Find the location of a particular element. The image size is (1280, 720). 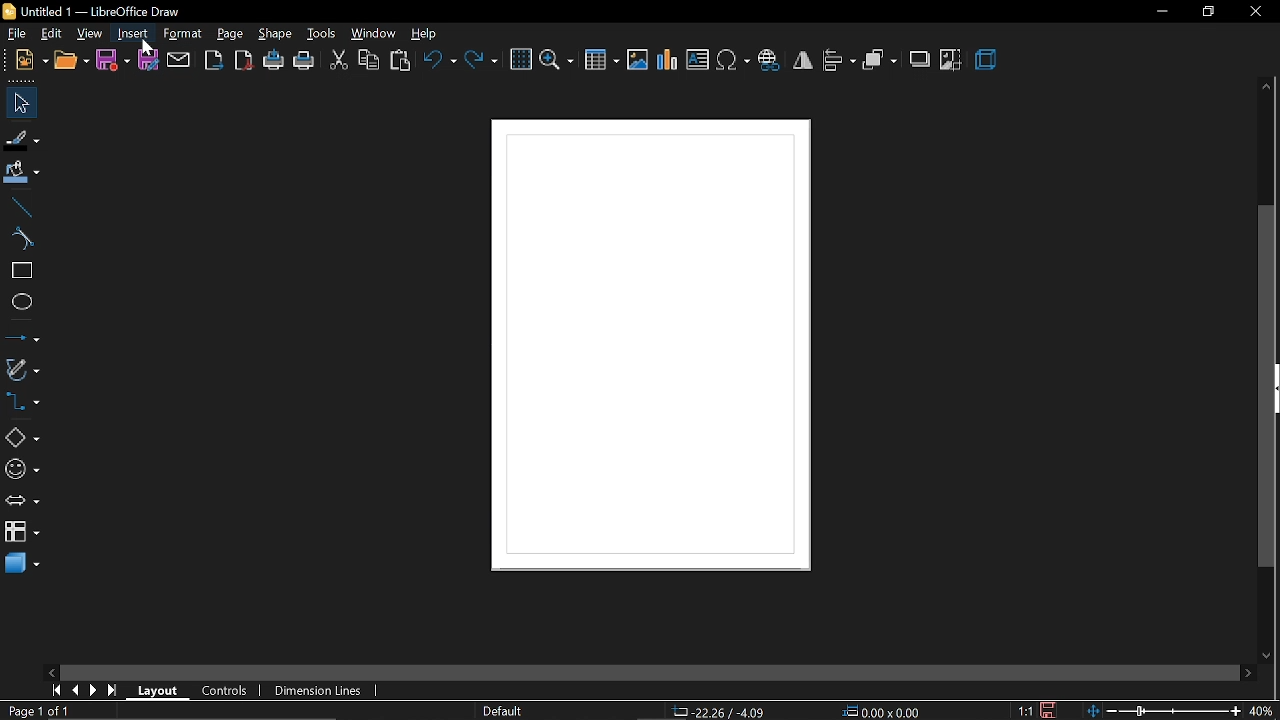

3d shapes is located at coordinates (20, 565).